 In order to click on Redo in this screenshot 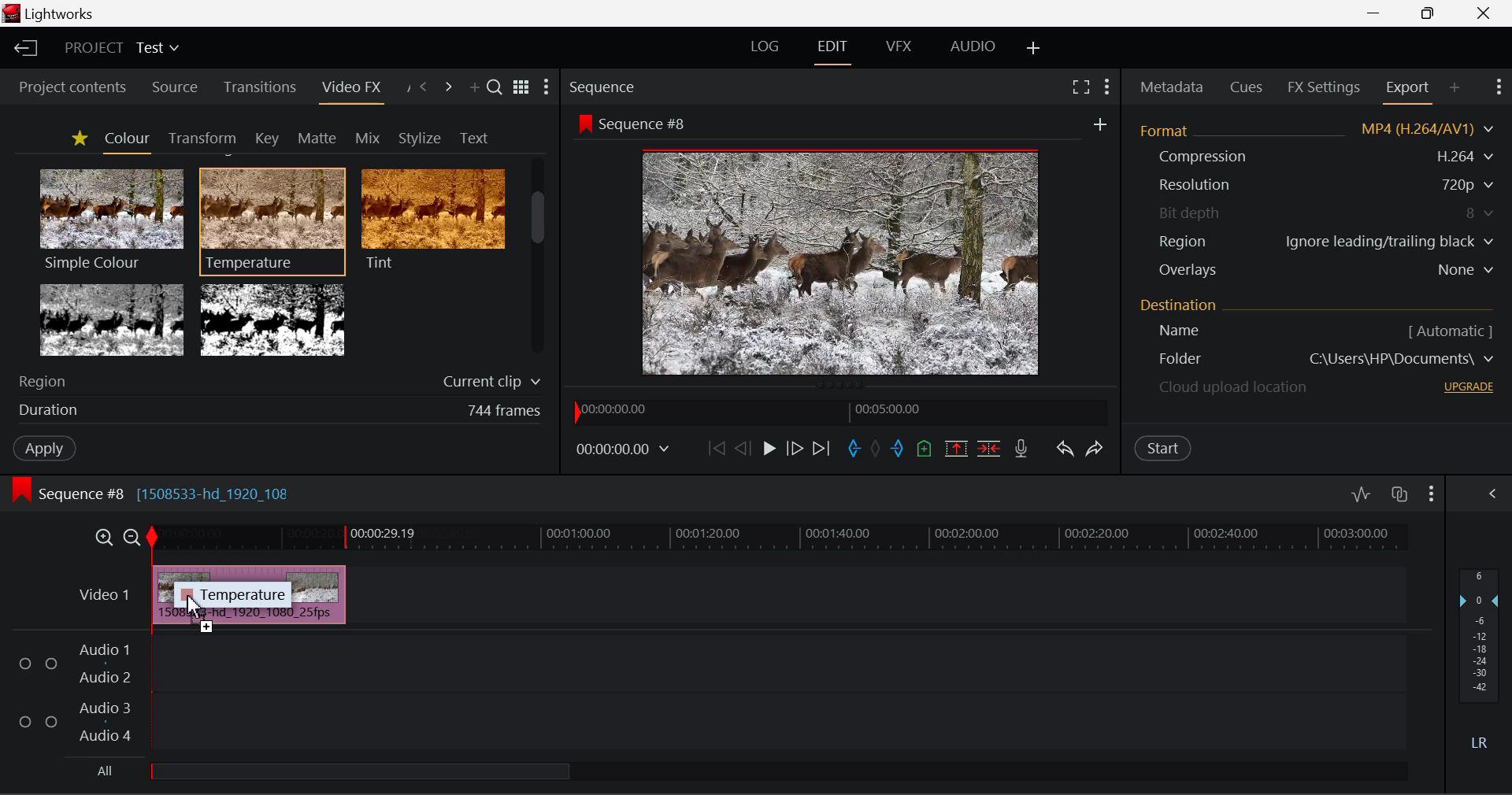, I will do `click(1098, 449)`.